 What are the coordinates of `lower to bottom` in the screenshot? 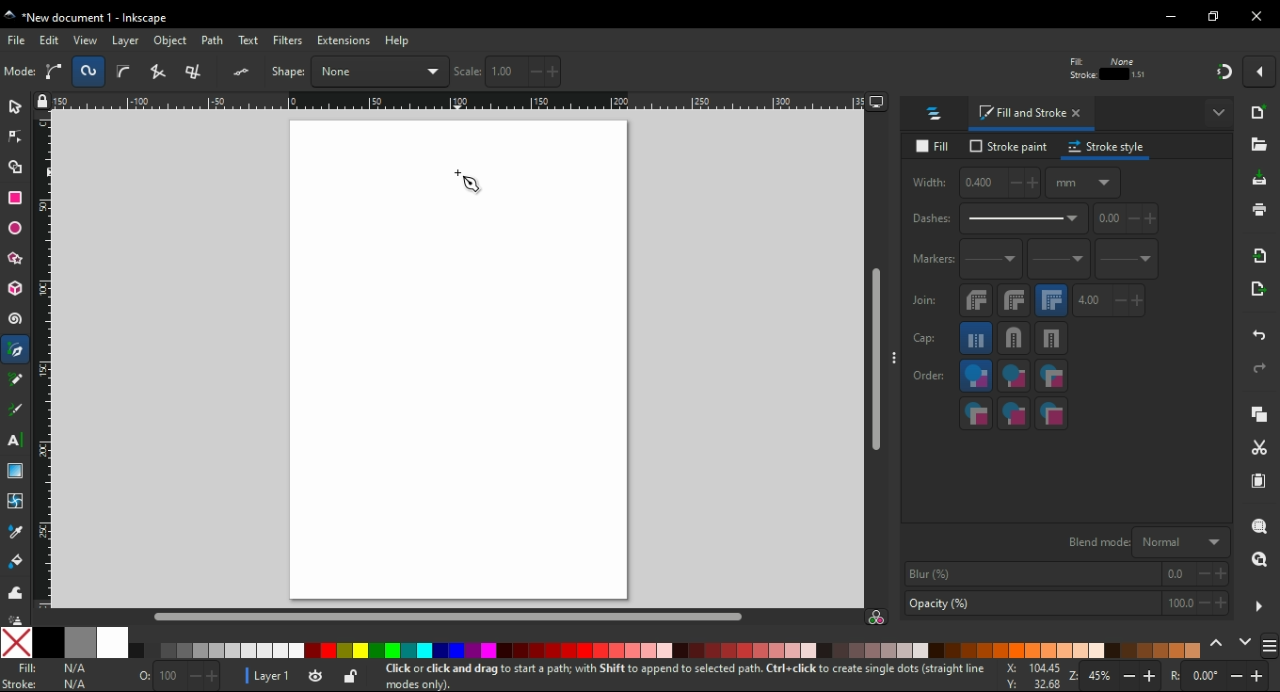 It's located at (430, 72).